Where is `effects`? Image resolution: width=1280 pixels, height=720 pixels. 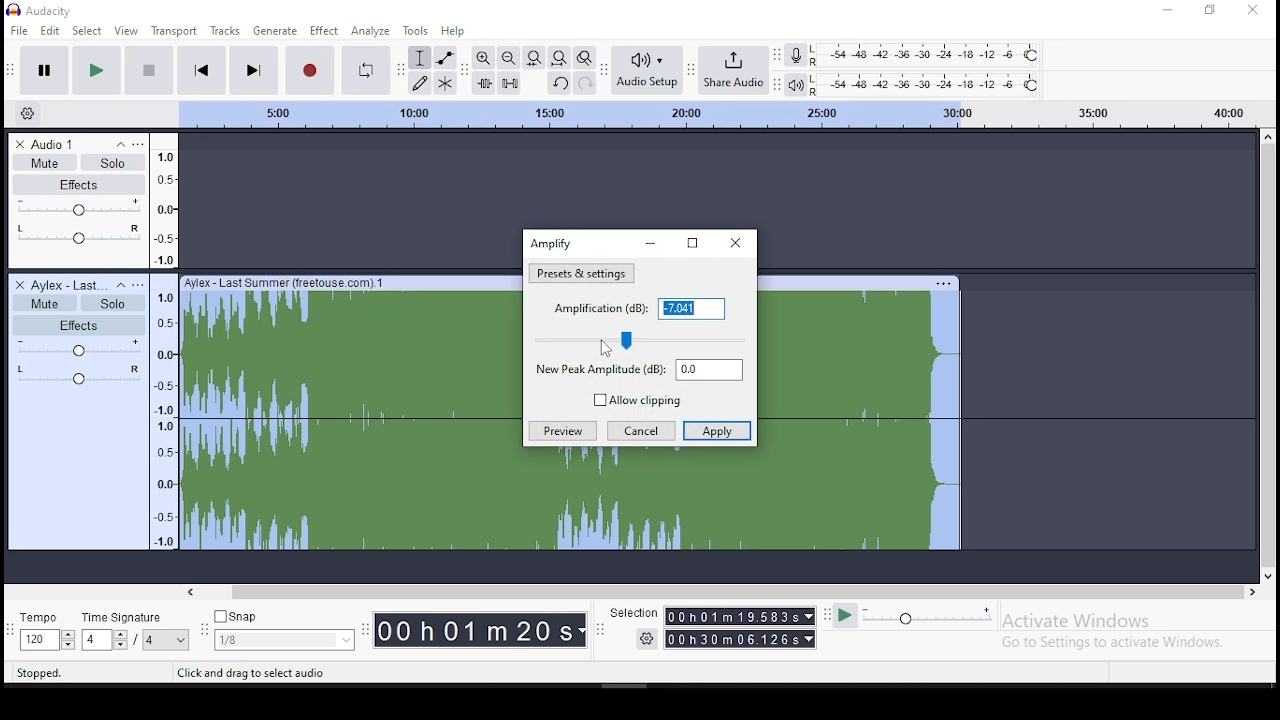 effects is located at coordinates (79, 325).